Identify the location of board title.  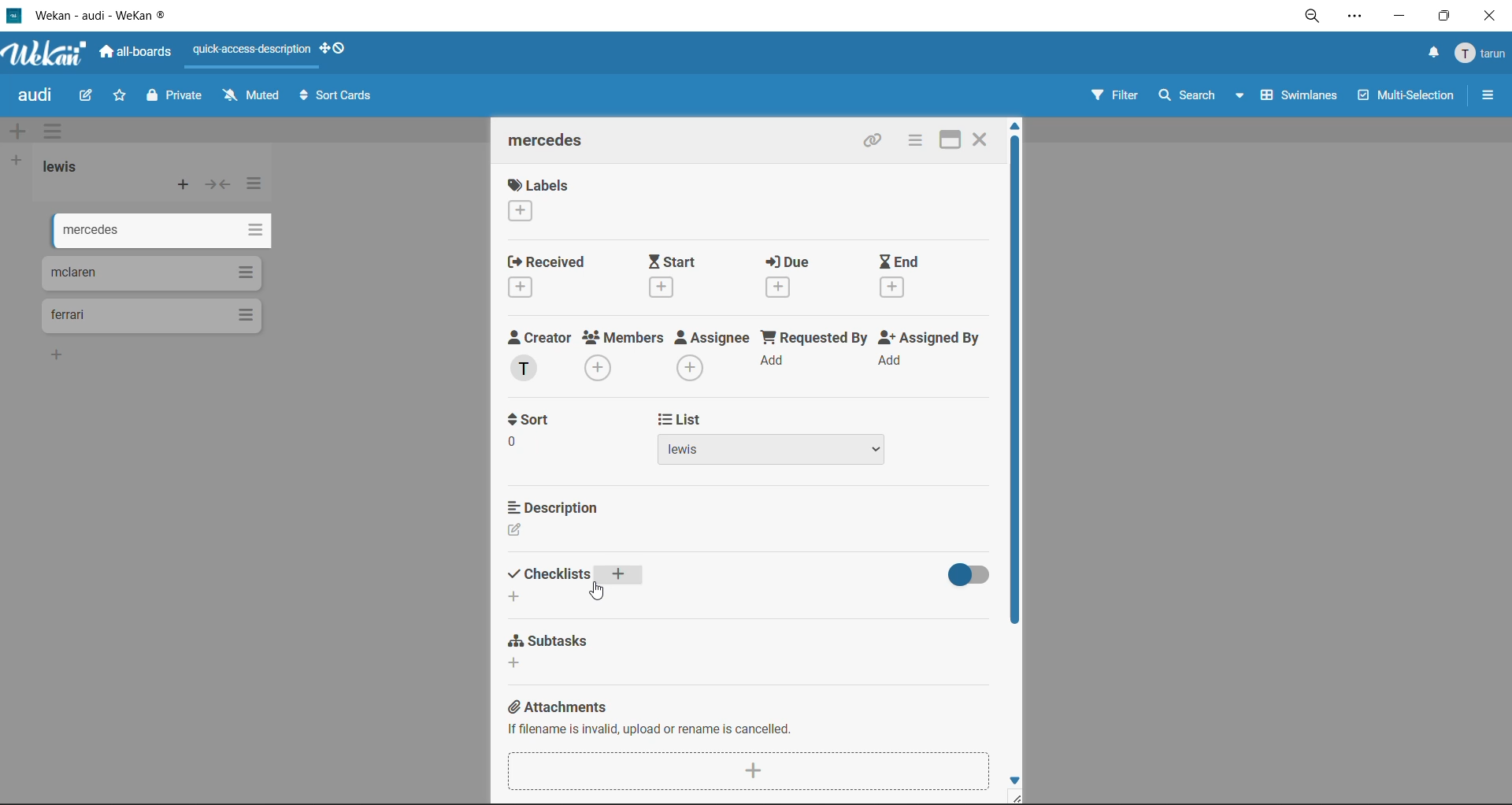
(39, 97).